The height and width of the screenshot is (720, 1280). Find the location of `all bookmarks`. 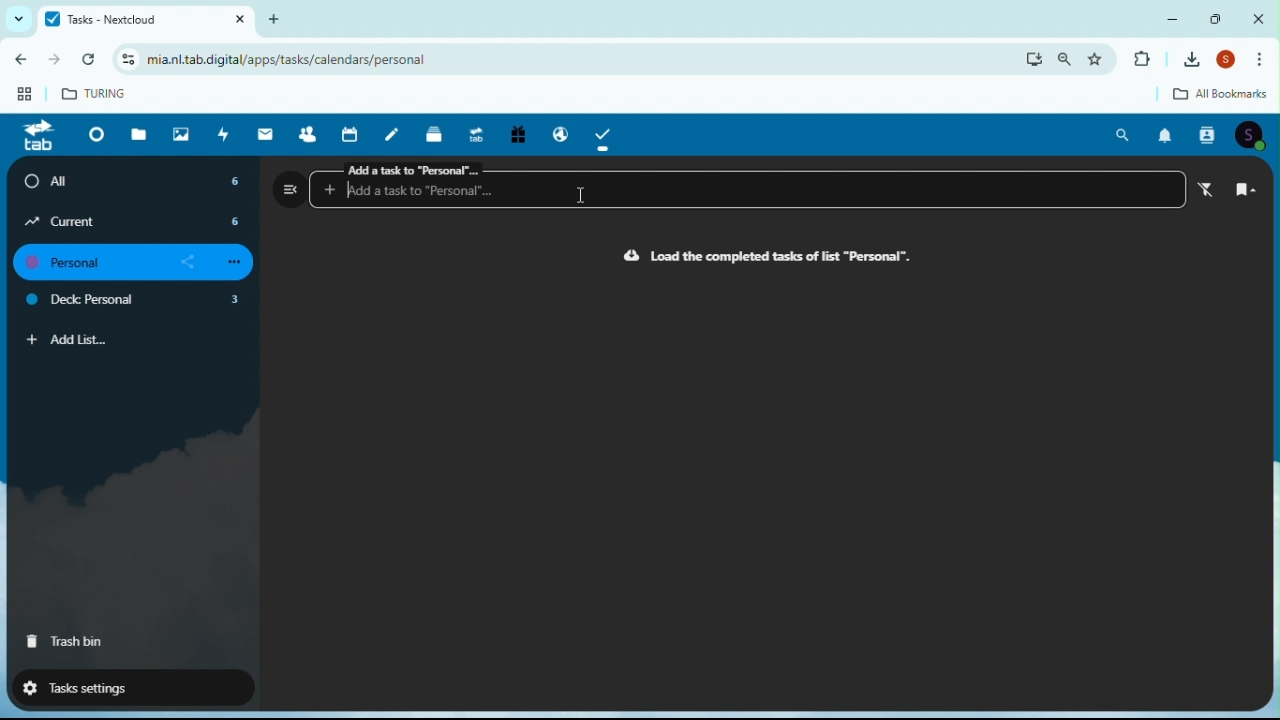

all bookmarks is located at coordinates (1205, 95).